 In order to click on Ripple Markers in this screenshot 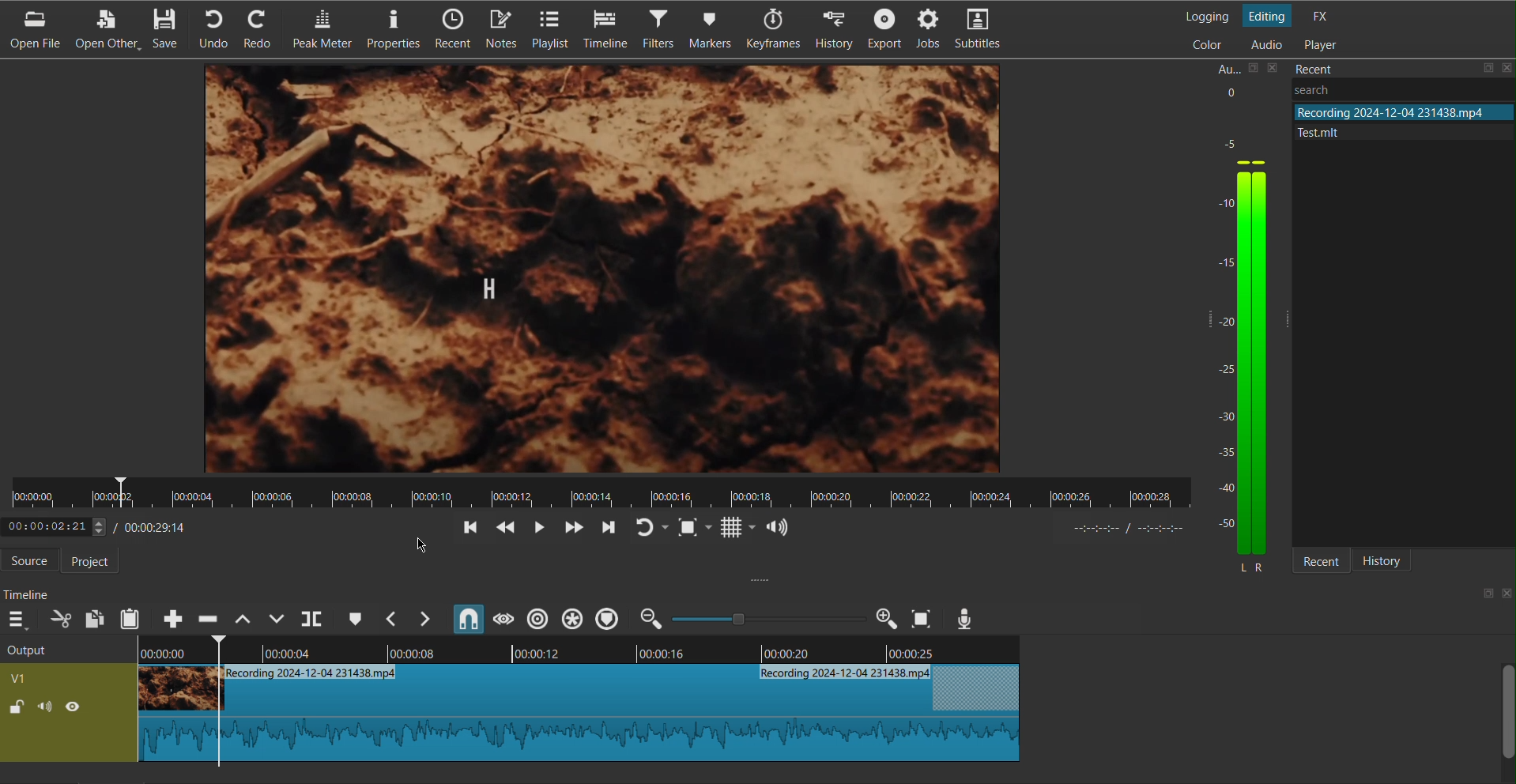, I will do `click(607, 619)`.